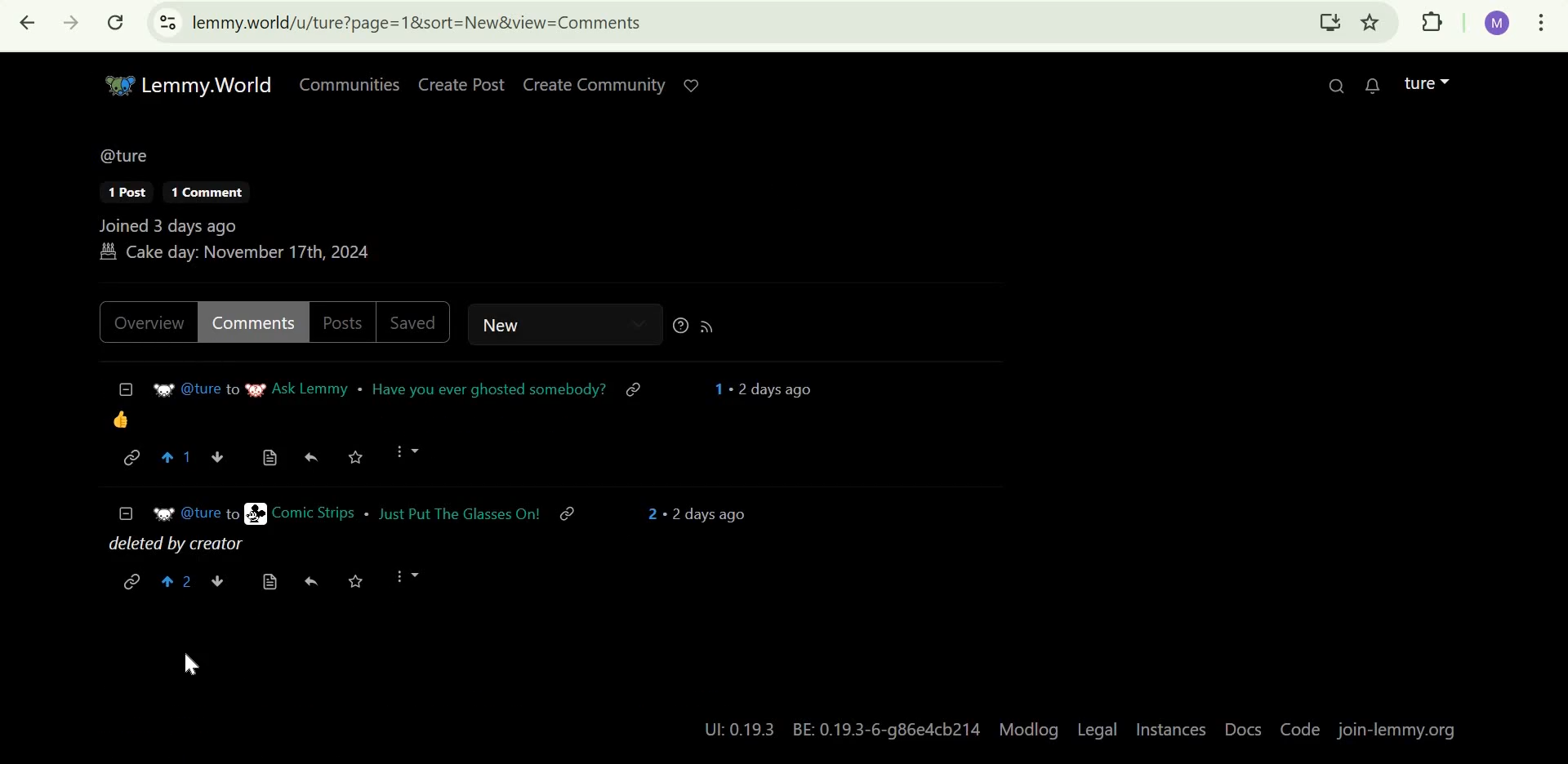 This screenshot has height=764, width=1568. What do you see at coordinates (1328, 24) in the screenshot?
I see `install lemmy.world` at bounding box center [1328, 24].